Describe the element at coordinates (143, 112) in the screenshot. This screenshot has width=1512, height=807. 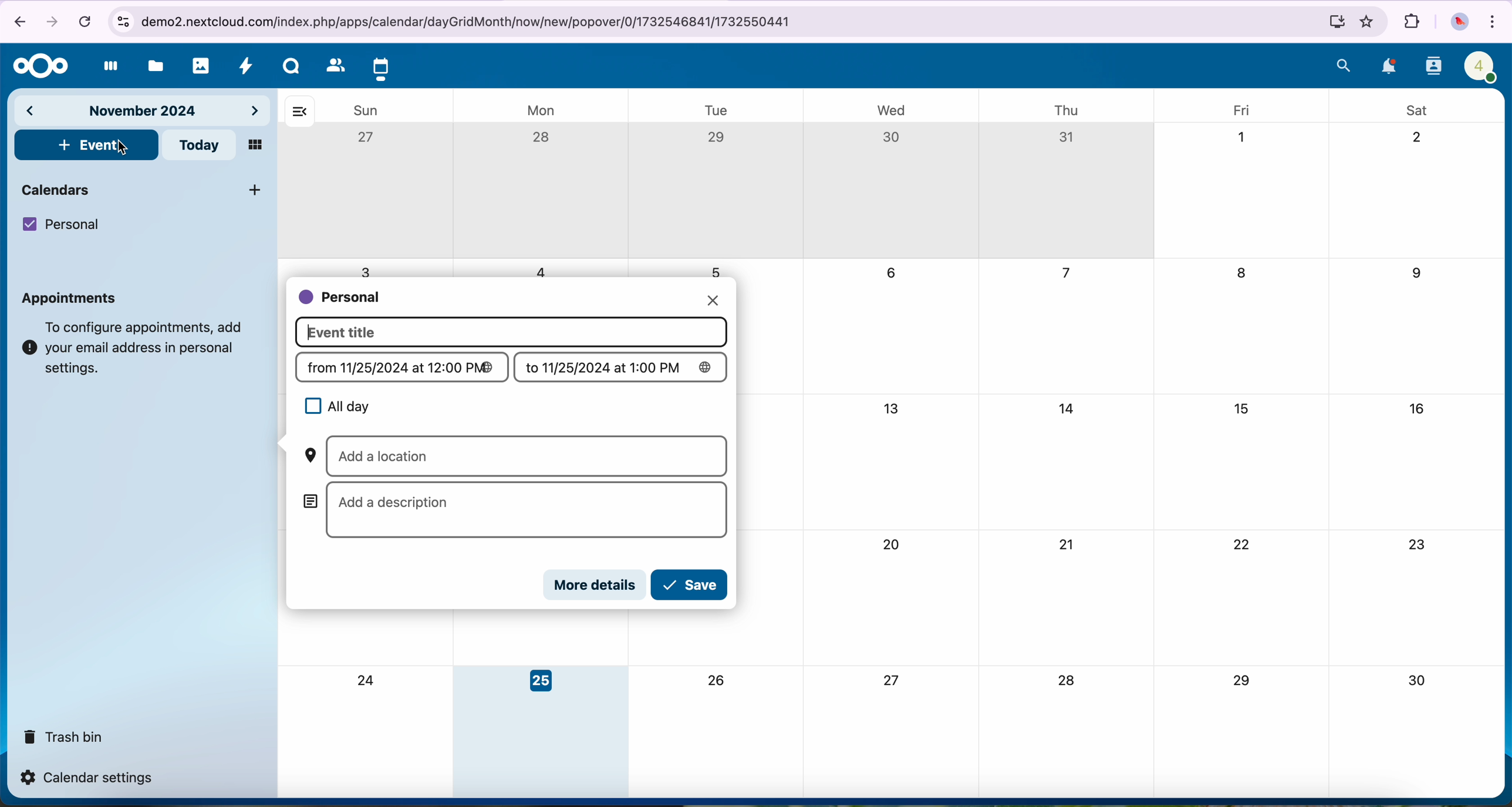
I see `november 2024` at that location.